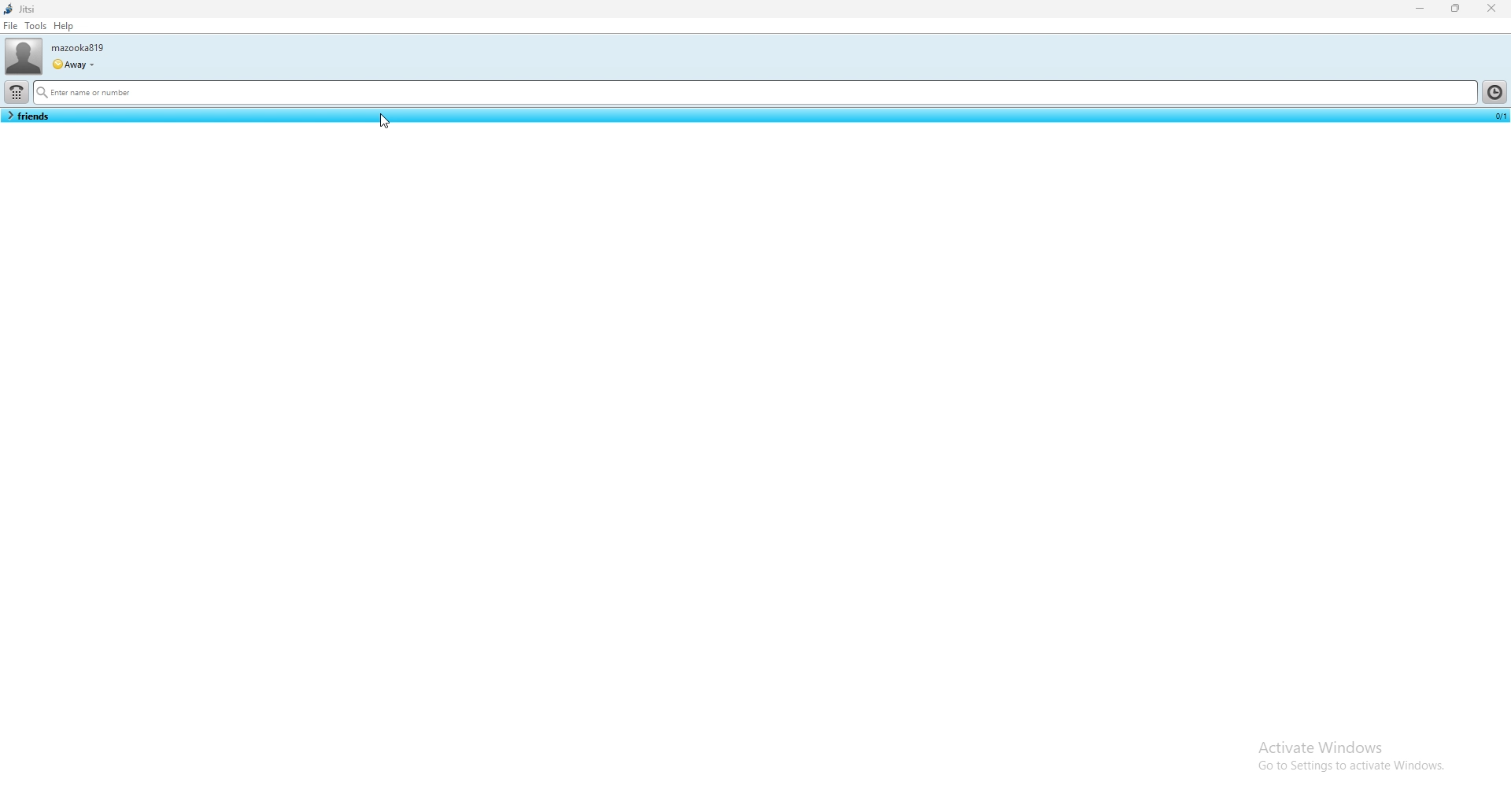 This screenshot has width=1511, height=812. What do you see at coordinates (1454, 9) in the screenshot?
I see `resize` at bounding box center [1454, 9].